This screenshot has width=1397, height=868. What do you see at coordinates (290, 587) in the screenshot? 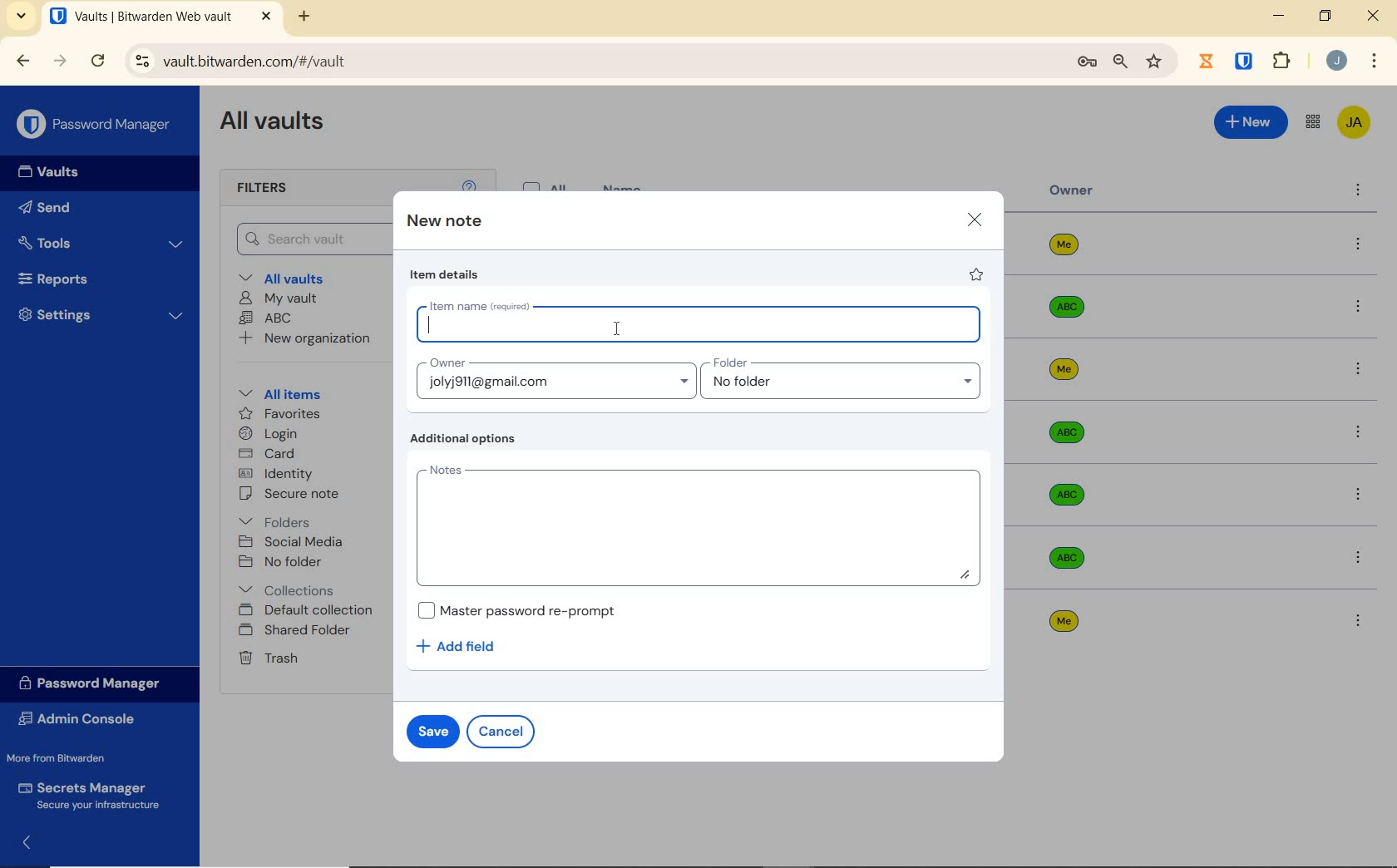
I see `Collections` at bounding box center [290, 587].